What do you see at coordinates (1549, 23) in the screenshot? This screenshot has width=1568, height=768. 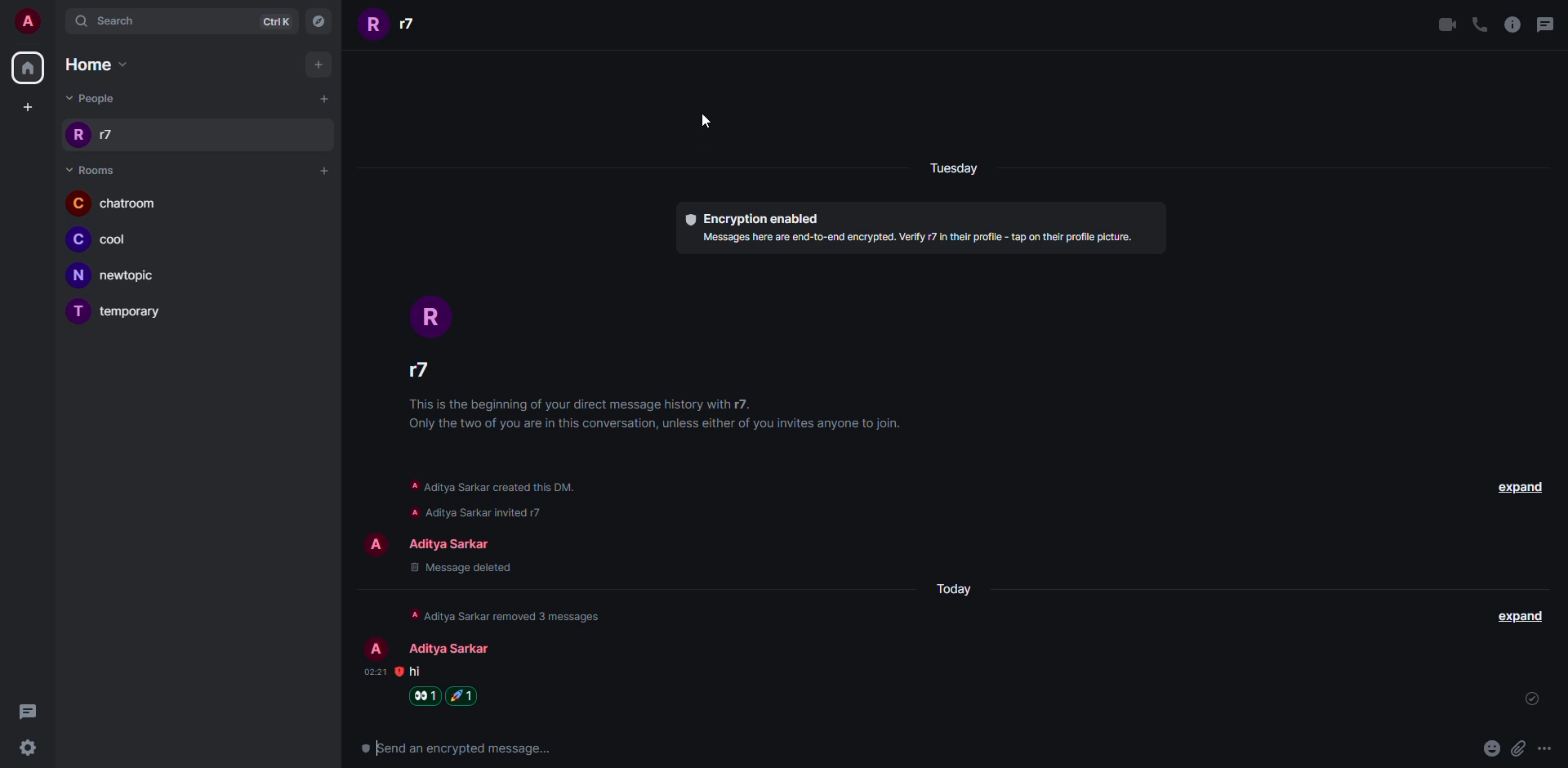 I see `threads` at bounding box center [1549, 23].